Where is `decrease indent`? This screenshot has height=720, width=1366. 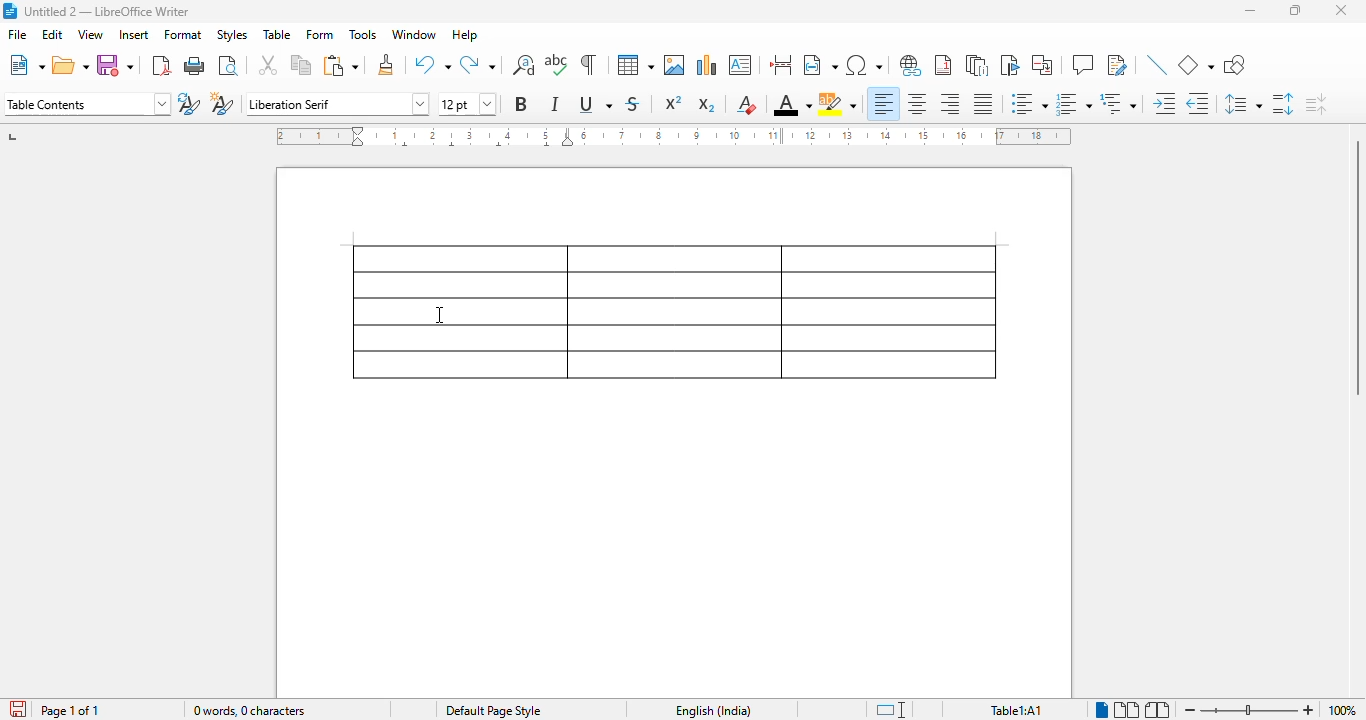 decrease indent is located at coordinates (1200, 103).